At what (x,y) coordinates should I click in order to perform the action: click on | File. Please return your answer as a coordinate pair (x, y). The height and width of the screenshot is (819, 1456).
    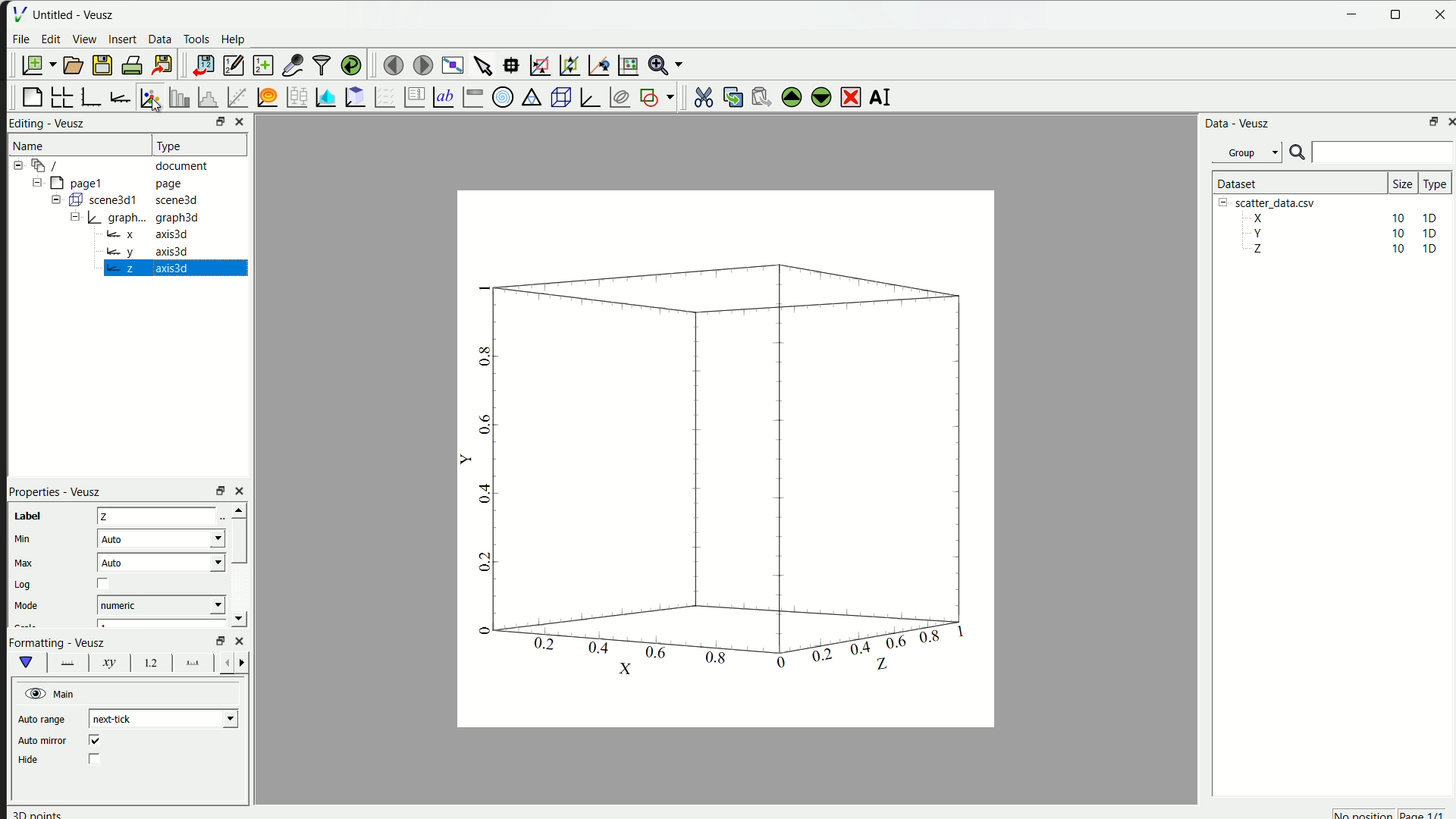
    Looking at the image, I should click on (18, 12).